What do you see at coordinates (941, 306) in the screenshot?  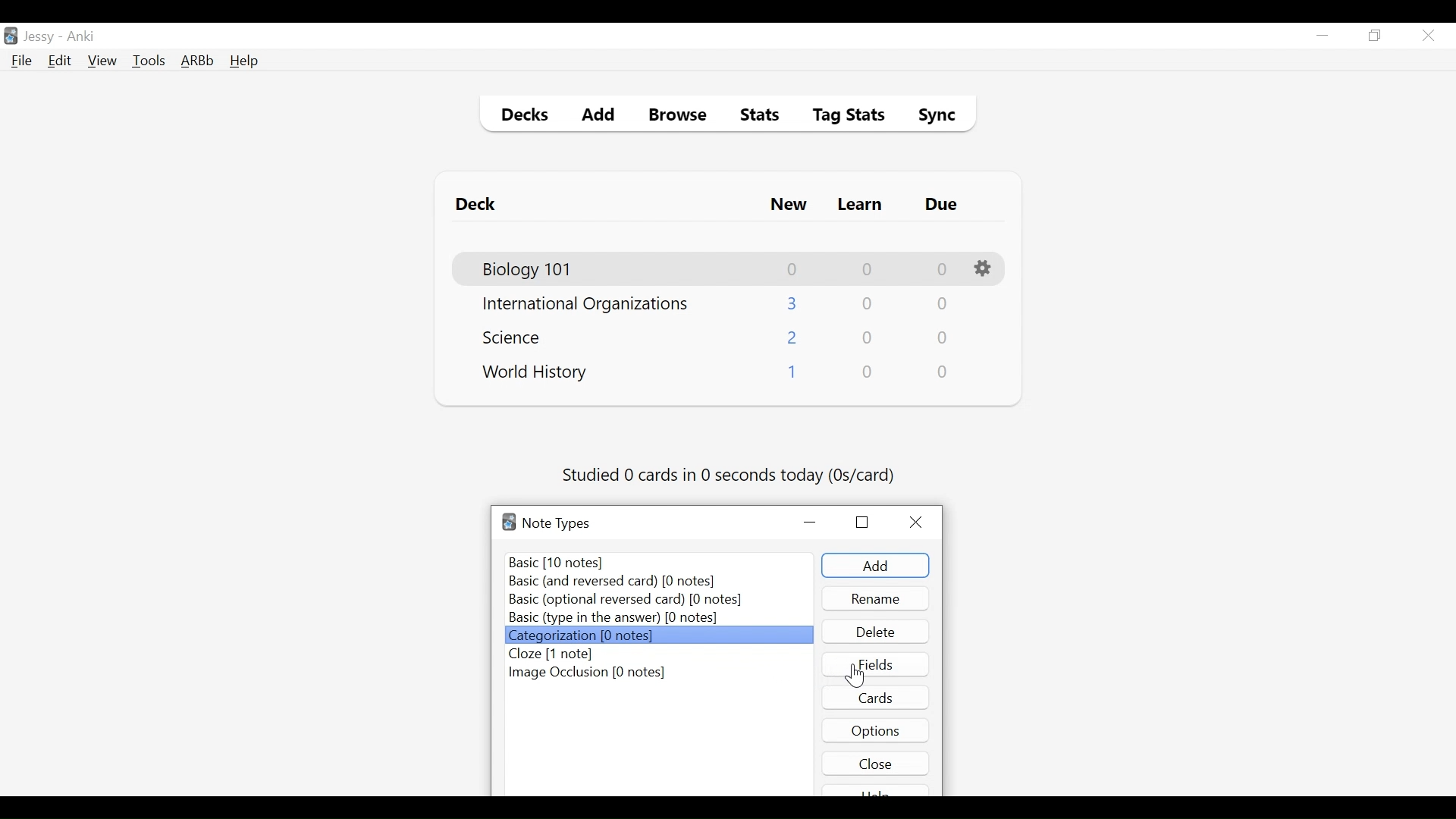 I see `Due Card Count` at bounding box center [941, 306].